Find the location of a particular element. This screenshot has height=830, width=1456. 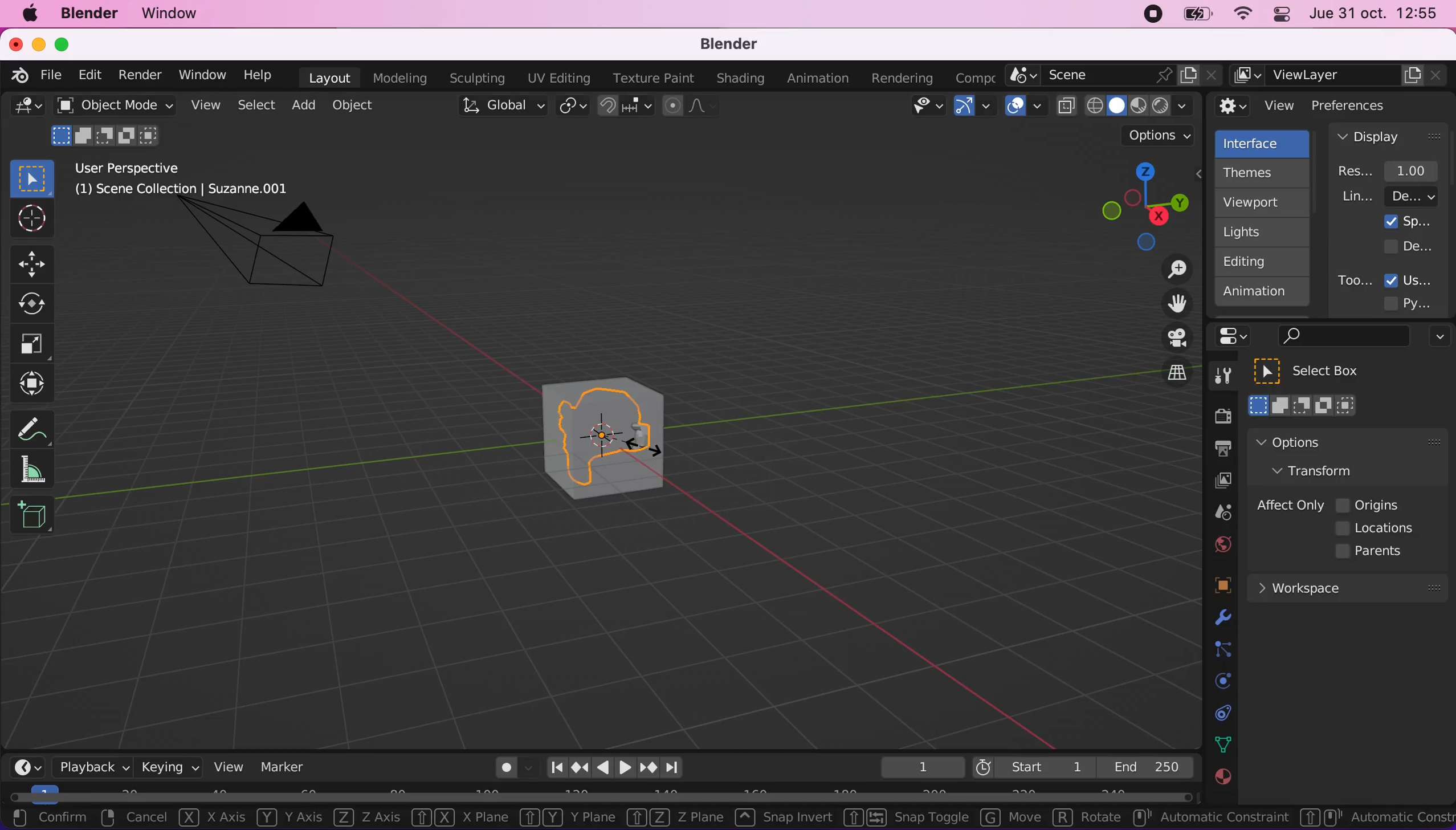

y axis is located at coordinates (284, 819).